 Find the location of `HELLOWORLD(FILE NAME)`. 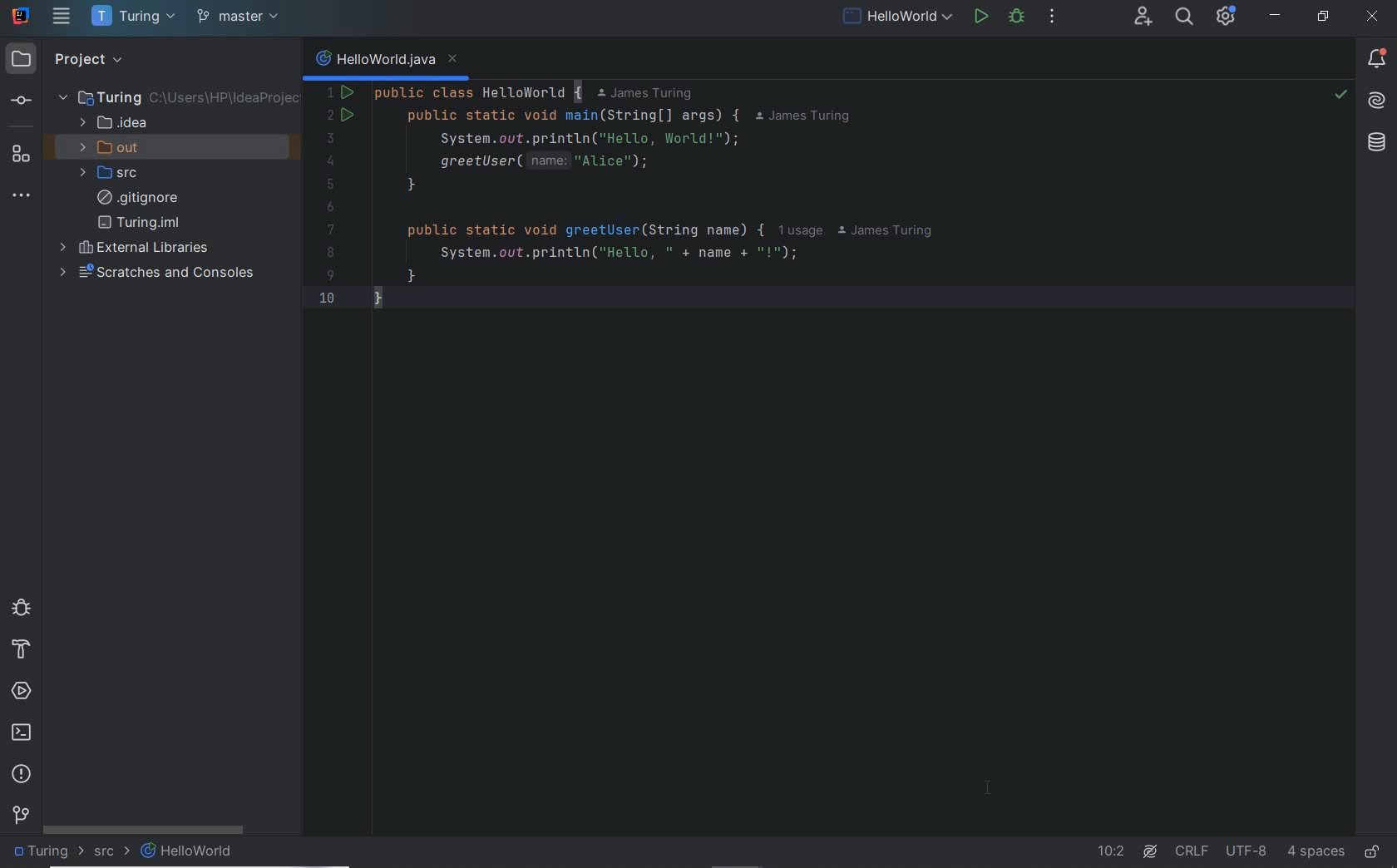

HELLOWORLD(FILE NAME) is located at coordinates (192, 851).